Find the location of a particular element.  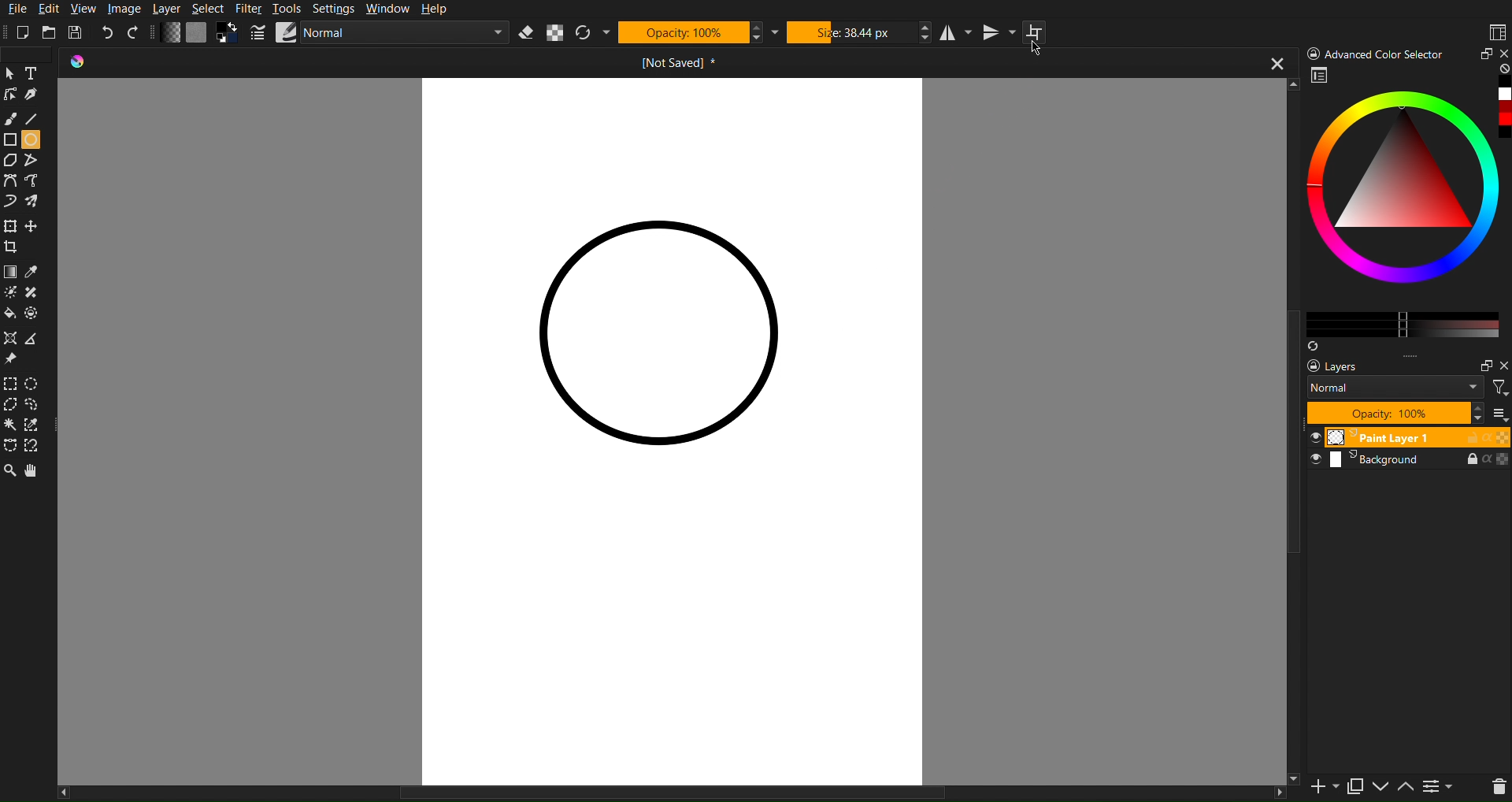

Redo is located at coordinates (133, 33).